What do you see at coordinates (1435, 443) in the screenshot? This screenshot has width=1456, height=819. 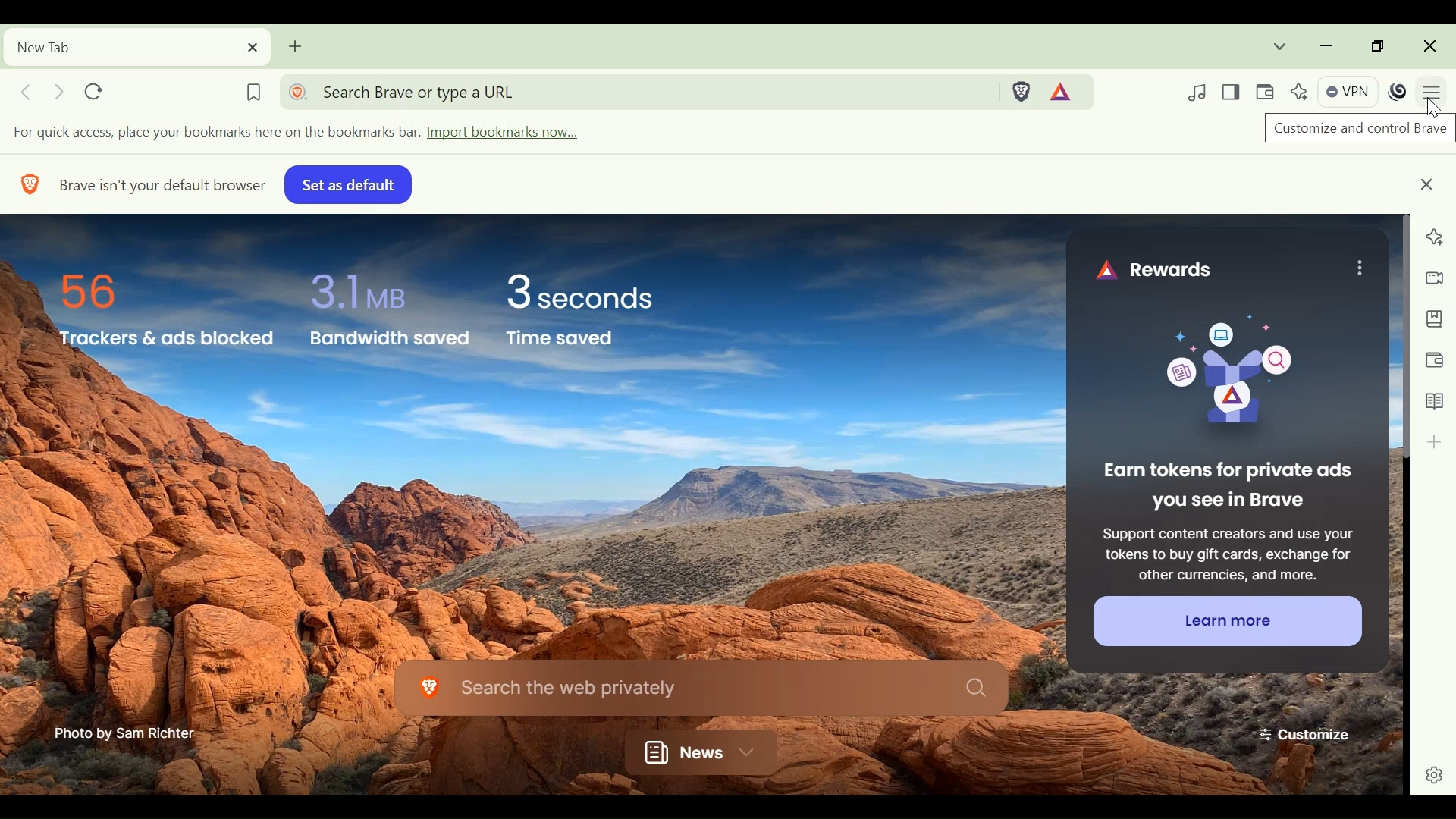 I see `Add to sidebar` at bounding box center [1435, 443].